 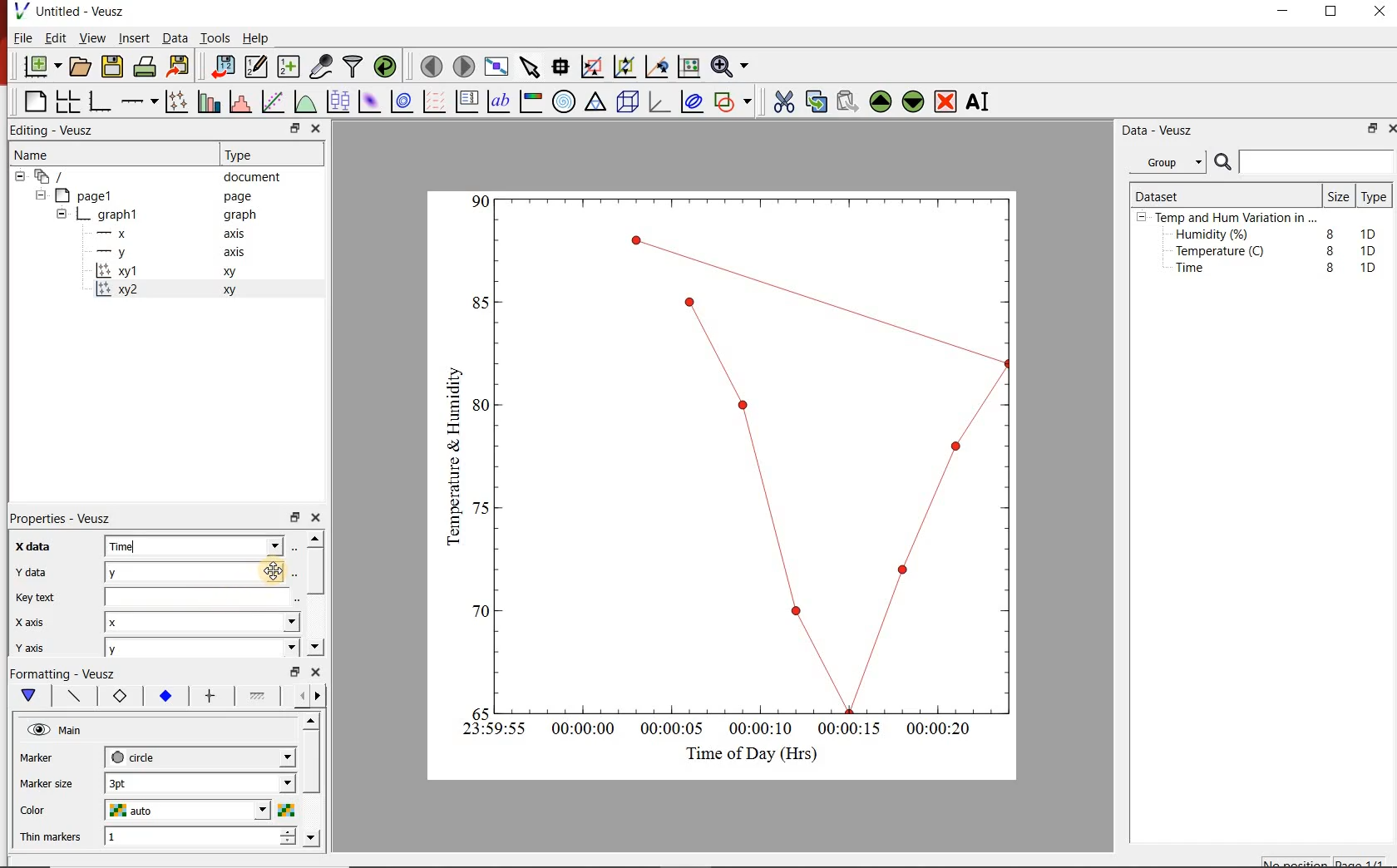 What do you see at coordinates (93, 195) in the screenshot?
I see `page1` at bounding box center [93, 195].